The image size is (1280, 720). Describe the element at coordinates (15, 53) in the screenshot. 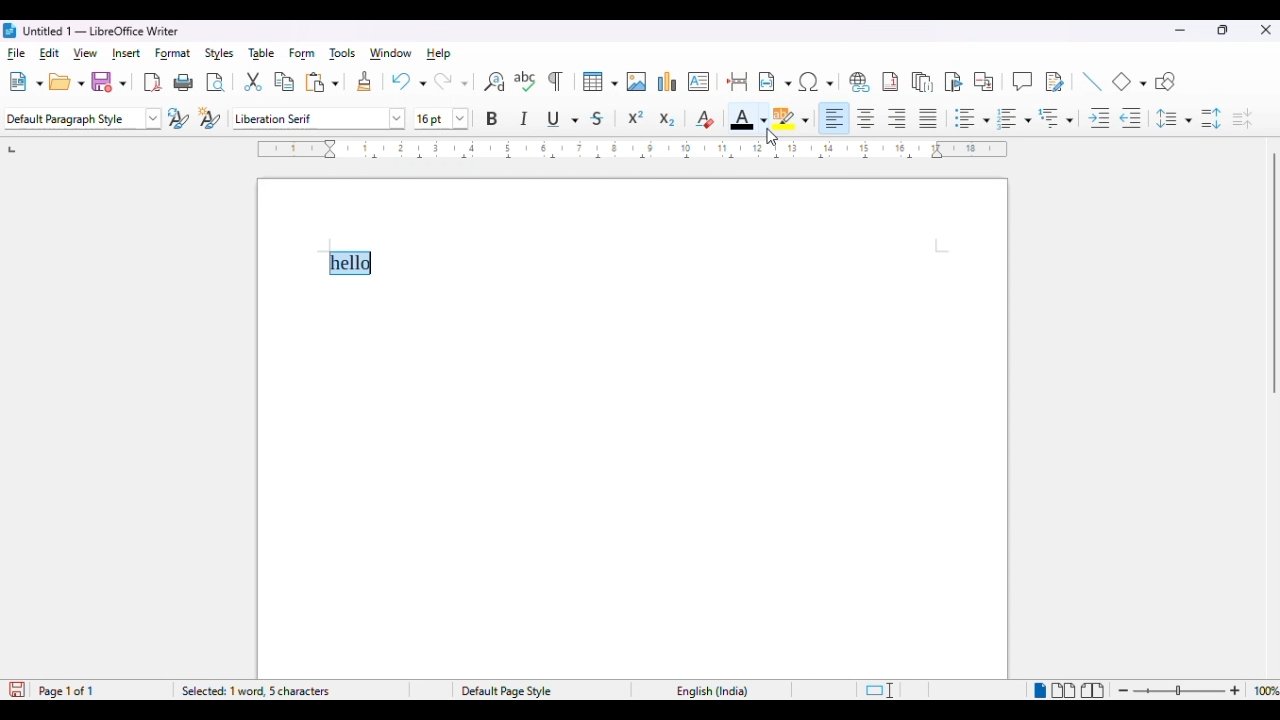

I see `file` at that location.